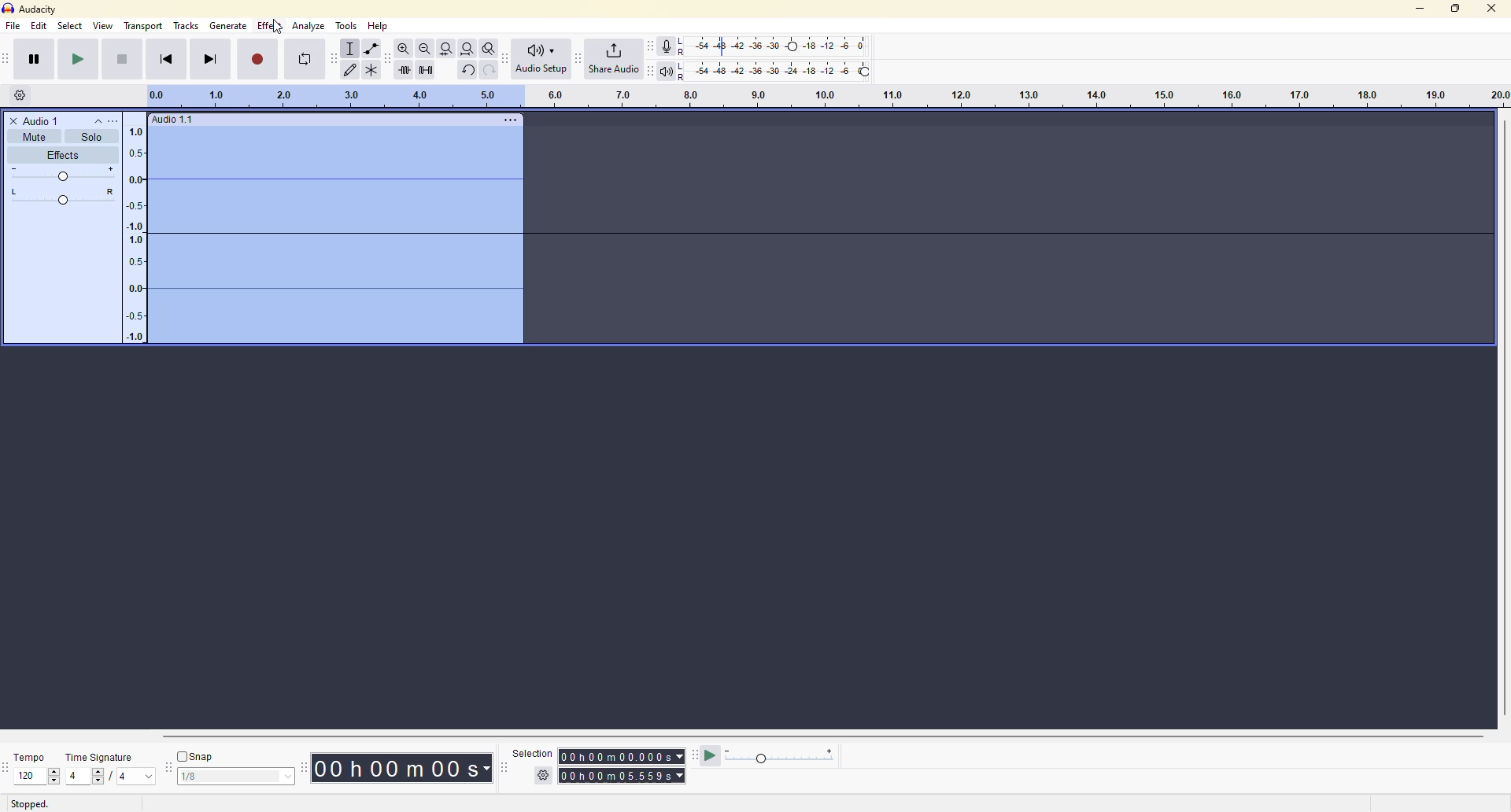  I want to click on more, so click(510, 119).